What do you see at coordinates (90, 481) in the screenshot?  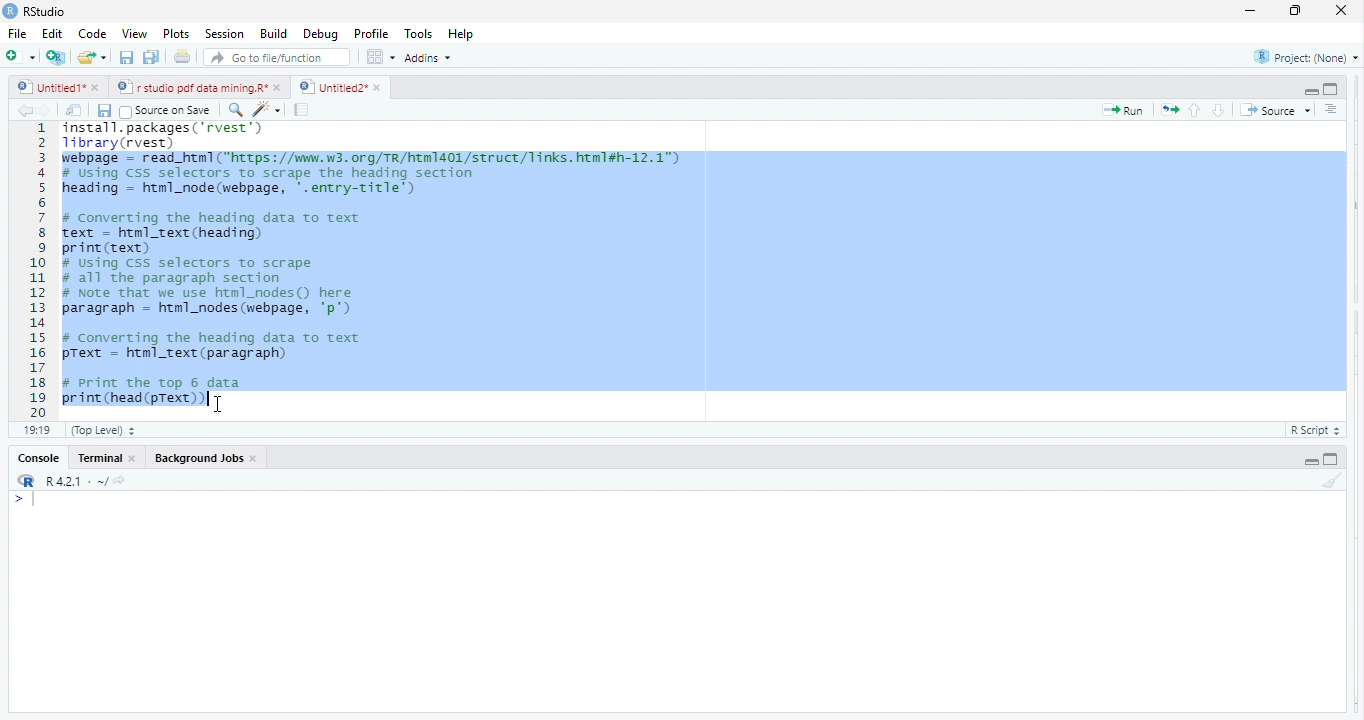 I see ` R421: ~/` at bounding box center [90, 481].